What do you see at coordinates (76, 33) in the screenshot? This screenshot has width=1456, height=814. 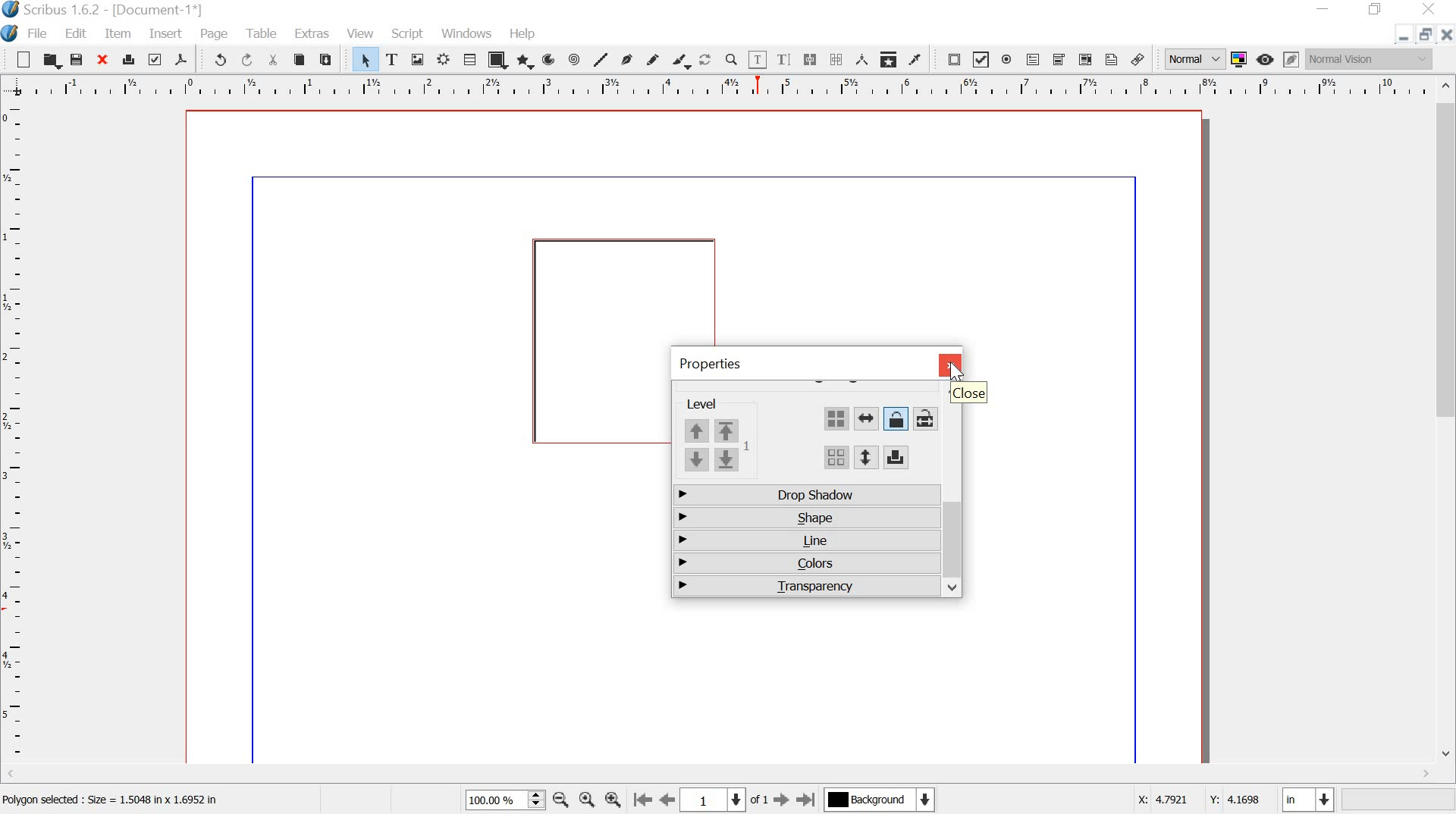 I see `edit` at bounding box center [76, 33].